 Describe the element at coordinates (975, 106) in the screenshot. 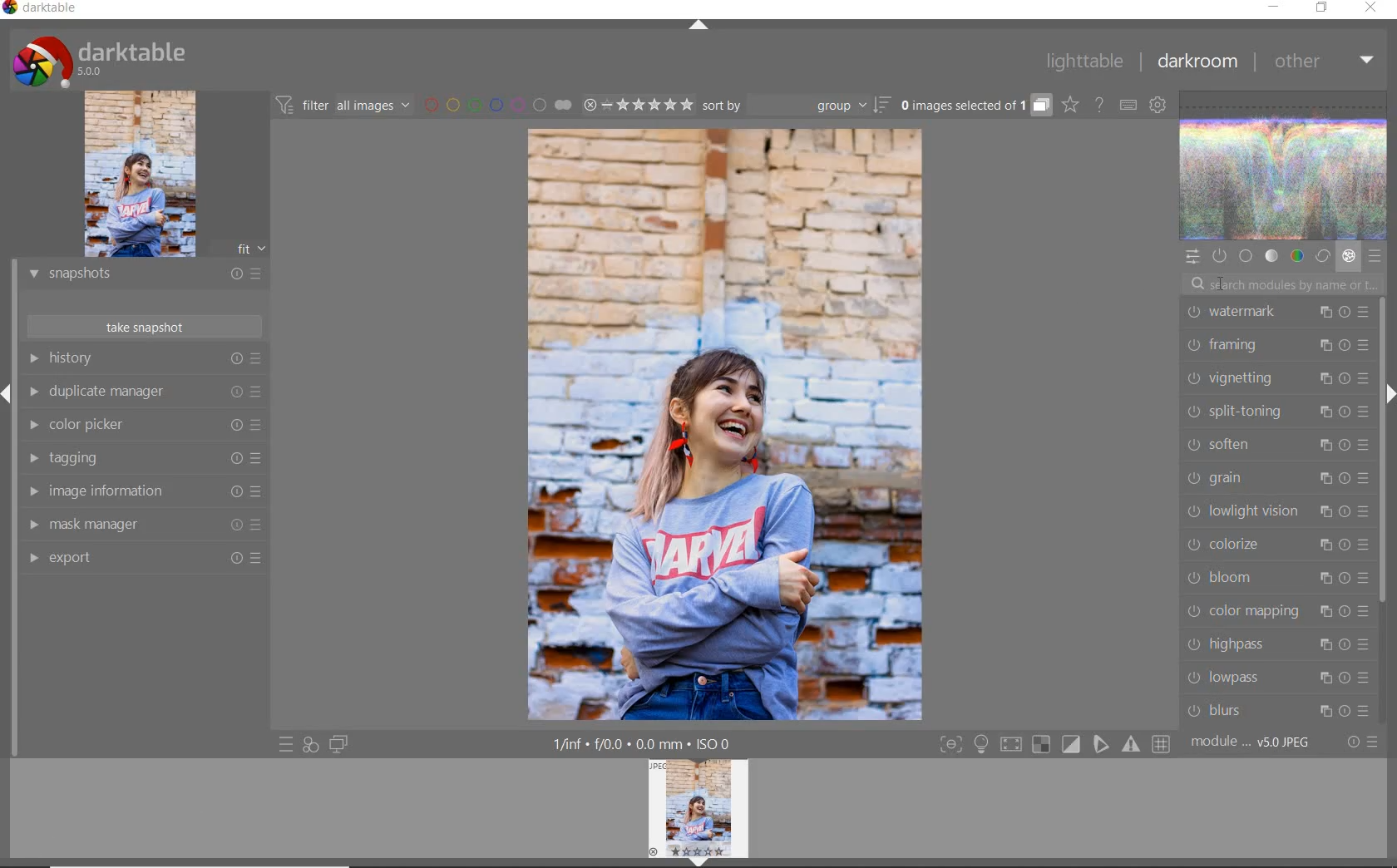

I see `grouped images` at that location.